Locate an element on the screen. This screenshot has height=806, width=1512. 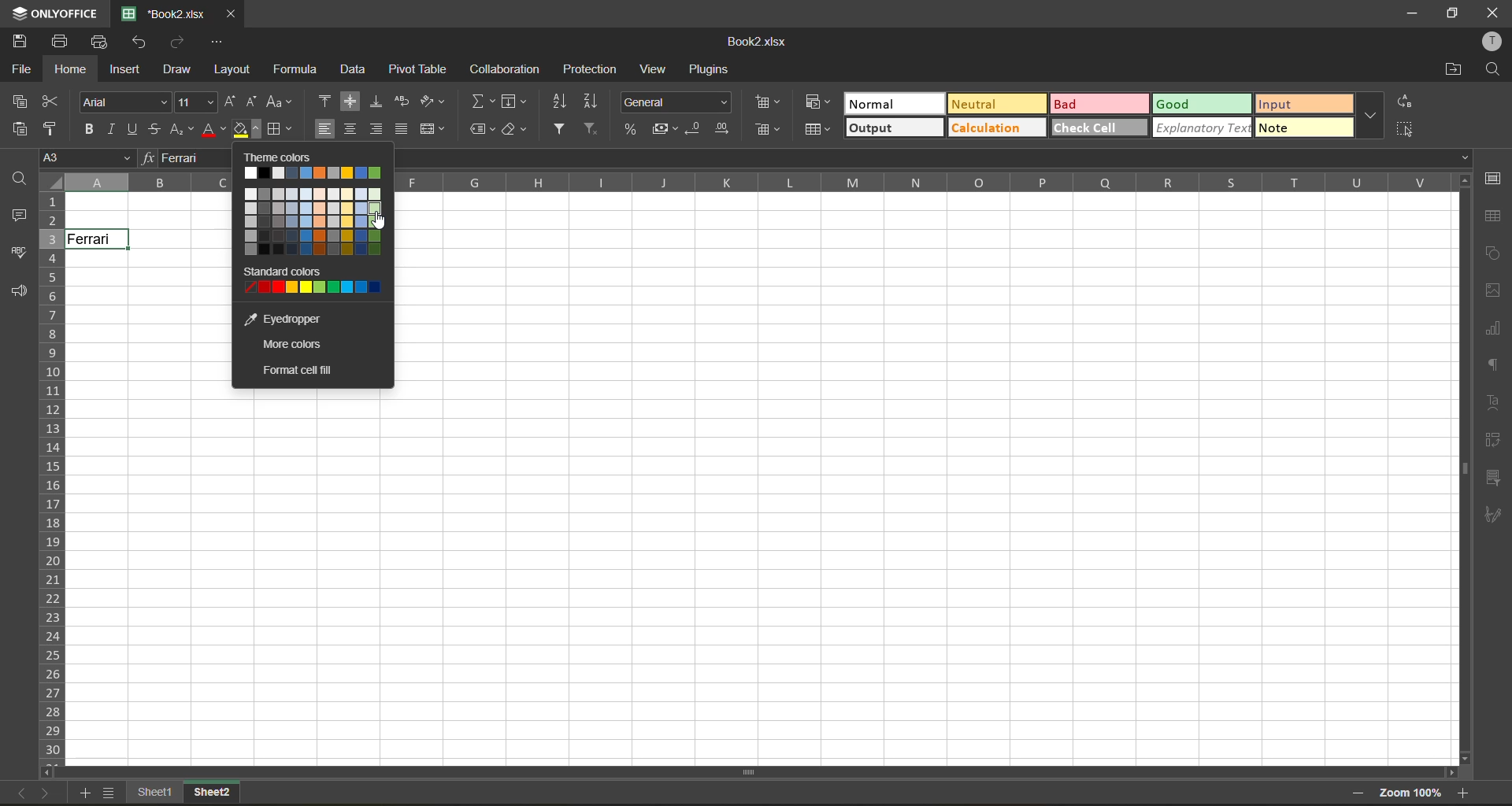
align middle is located at coordinates (350, 100).